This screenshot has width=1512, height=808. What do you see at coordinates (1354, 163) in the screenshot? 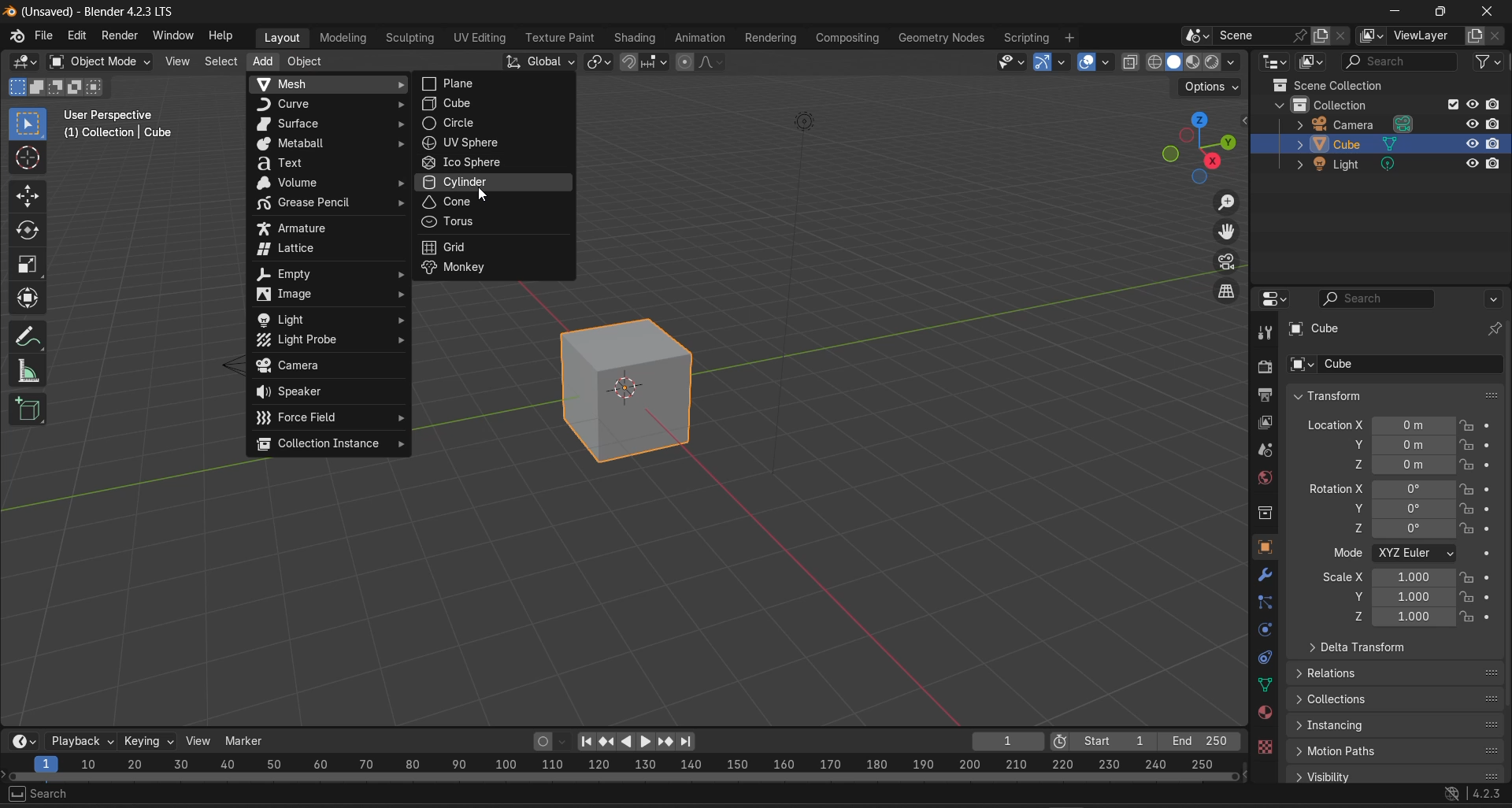
I see `light` at bounding box center [1354, 163].